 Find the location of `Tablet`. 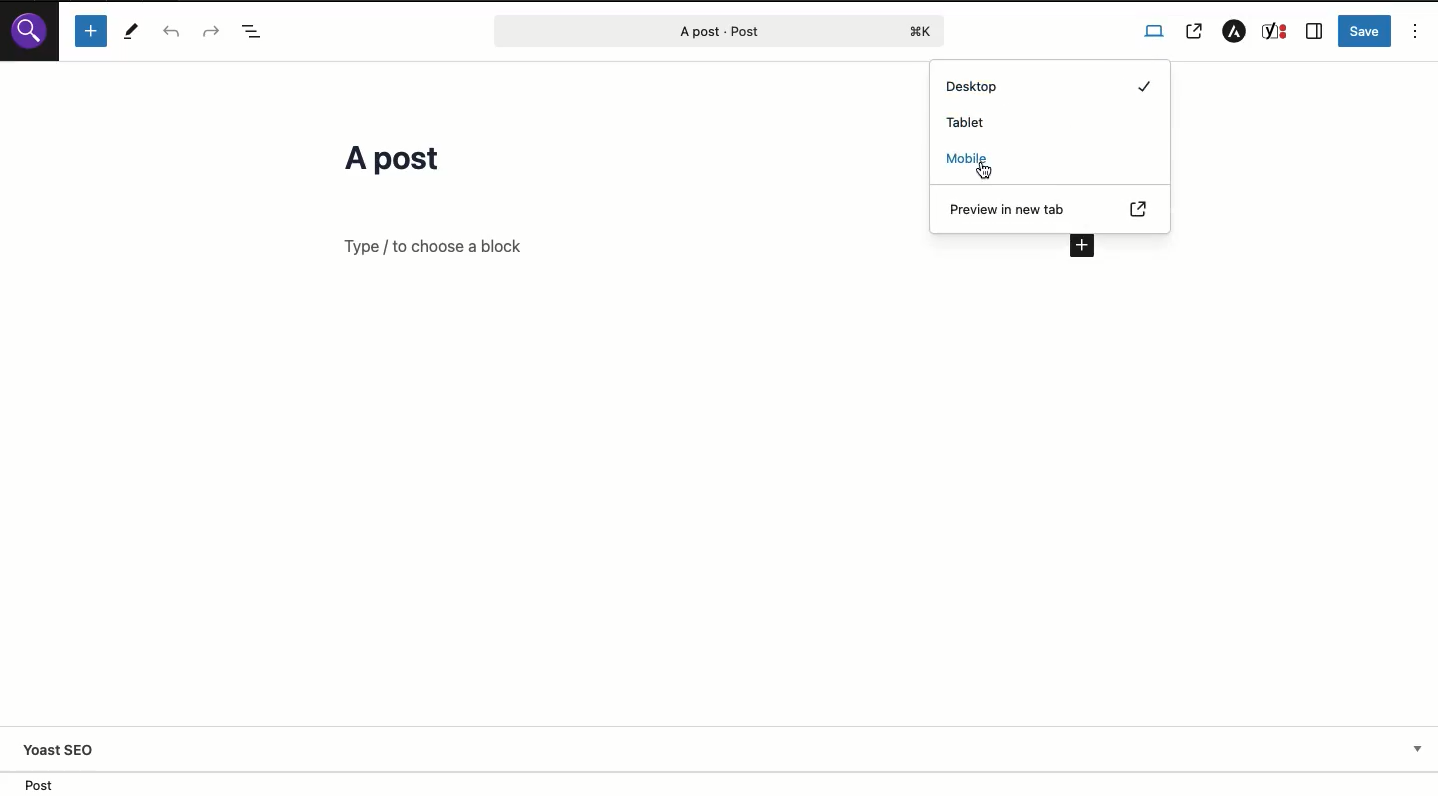

Tablet is located at coordinates (967, 123).